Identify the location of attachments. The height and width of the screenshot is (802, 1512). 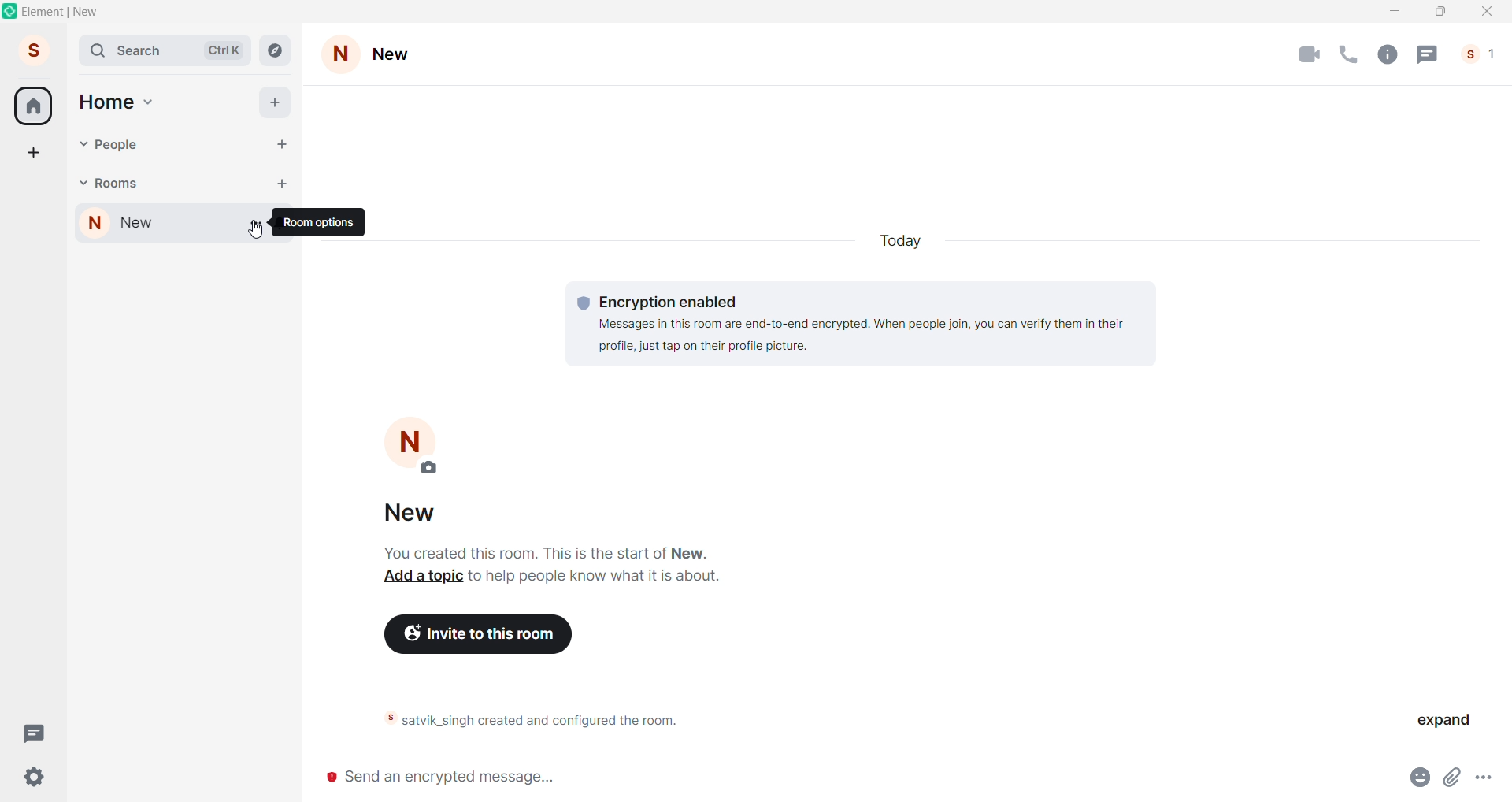
(1456, 778).